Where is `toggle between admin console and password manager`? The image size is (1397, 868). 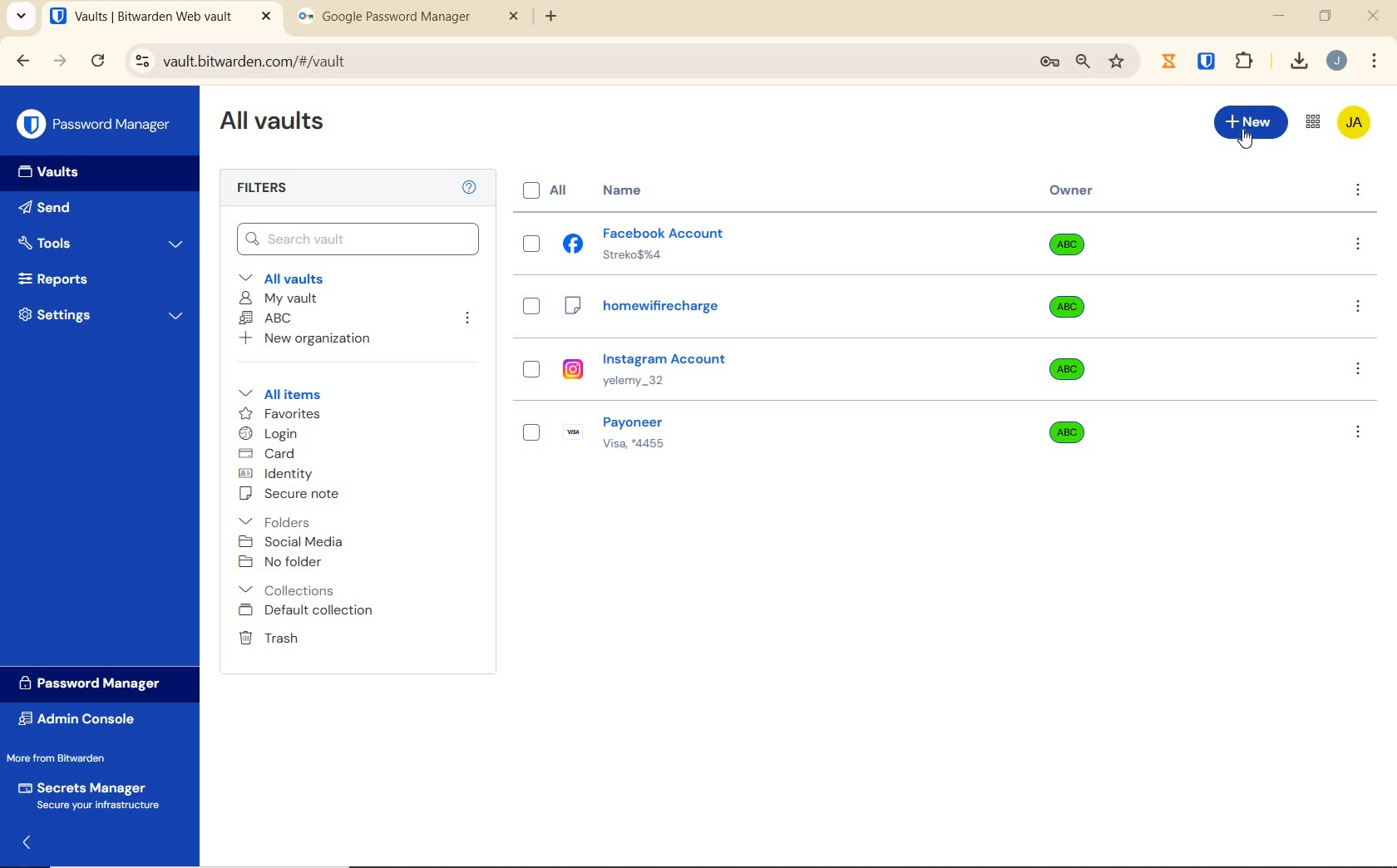
toggle between admin console and password manager is located at coordinates (1311, 123).